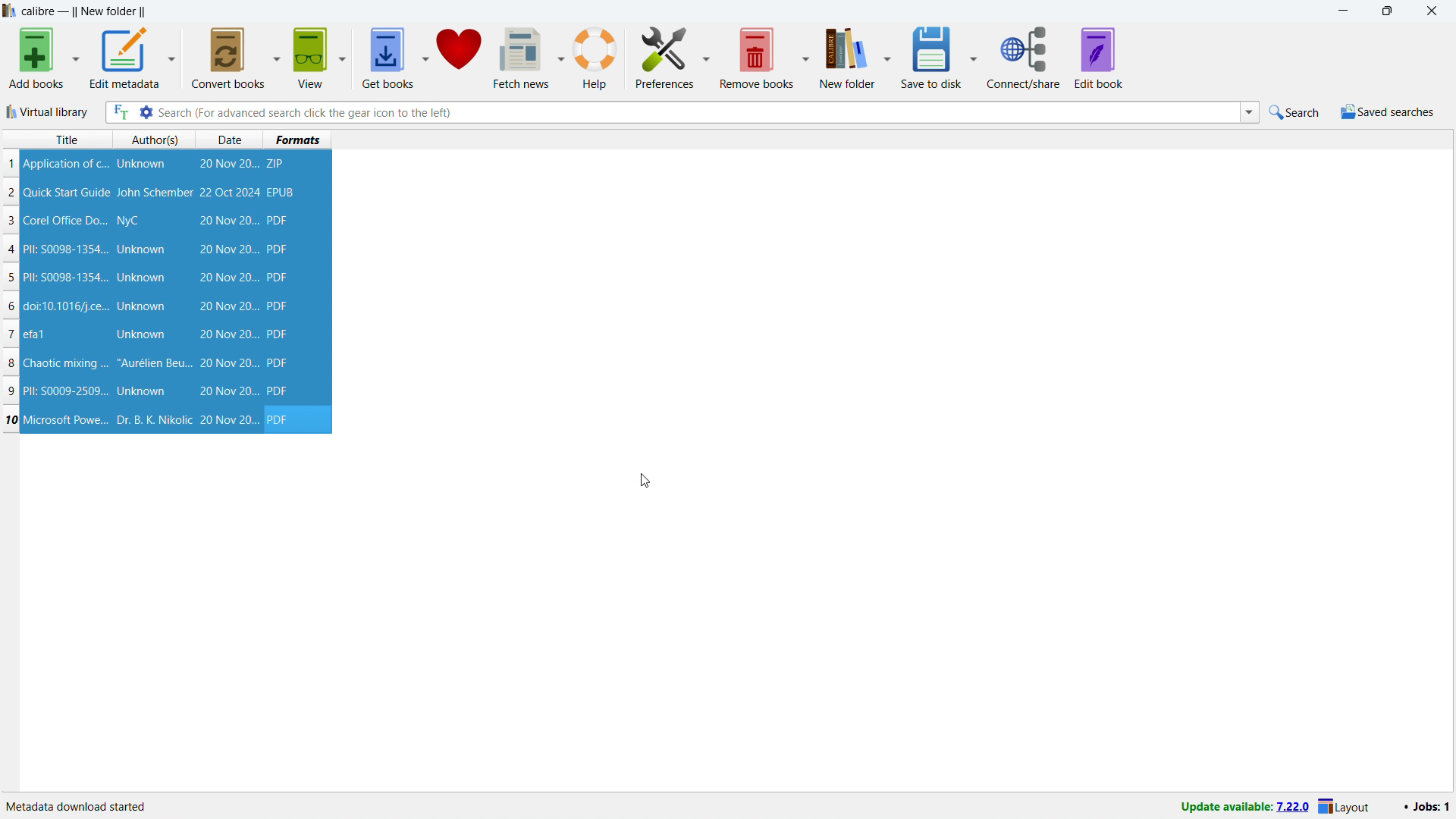 This screenshot has height=819, width=1456. Describe the element at coordinates (10, 307) in the screenshot. I see `6` at that location.